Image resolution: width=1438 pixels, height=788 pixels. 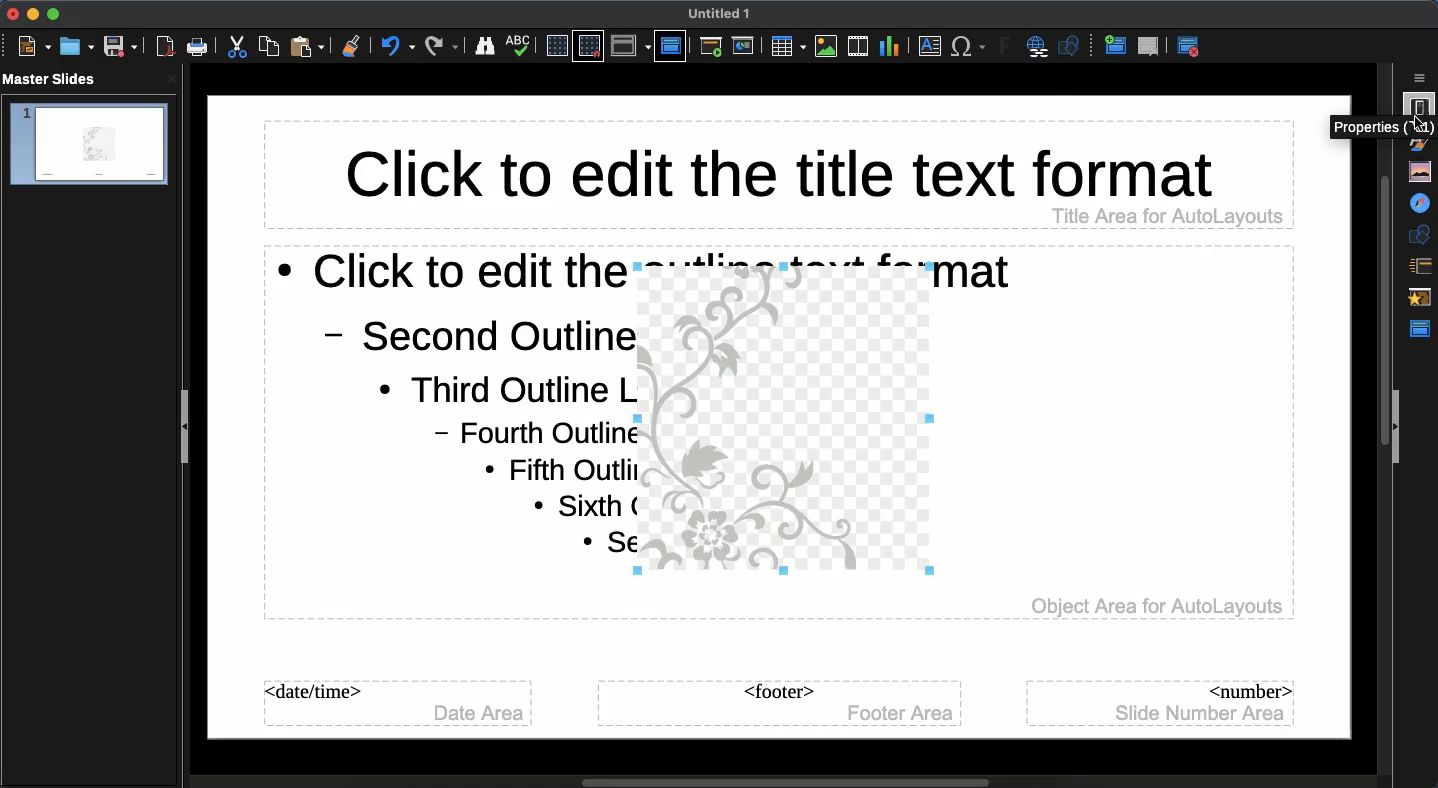 What do you see at coordinates (1417, 104) in the screenshot?
I see `Properties` at bounding box center [1417, 104].